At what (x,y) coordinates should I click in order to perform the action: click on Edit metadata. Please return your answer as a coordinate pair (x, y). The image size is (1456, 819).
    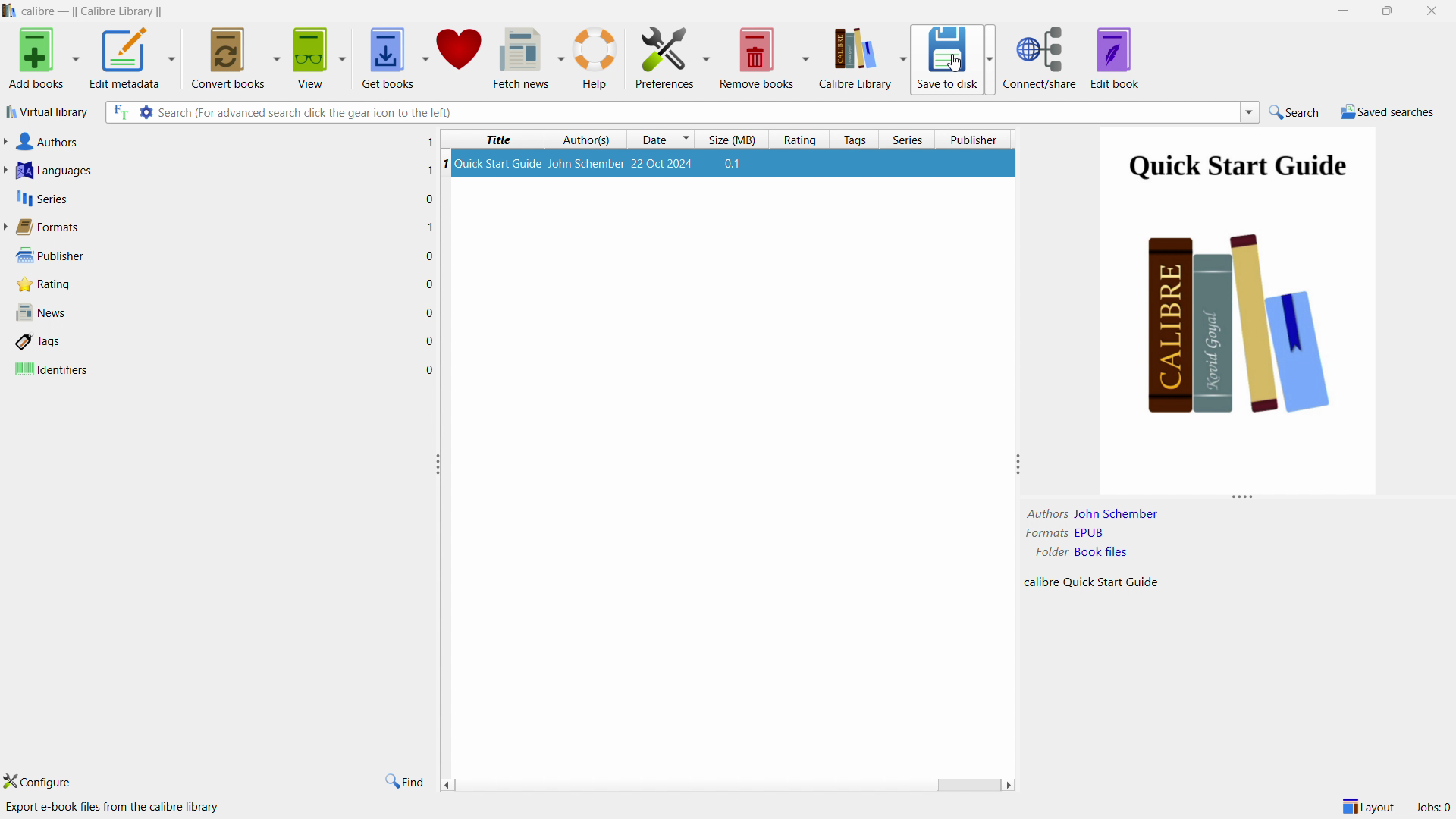
    Looking at the image, I should click on (126, 61).